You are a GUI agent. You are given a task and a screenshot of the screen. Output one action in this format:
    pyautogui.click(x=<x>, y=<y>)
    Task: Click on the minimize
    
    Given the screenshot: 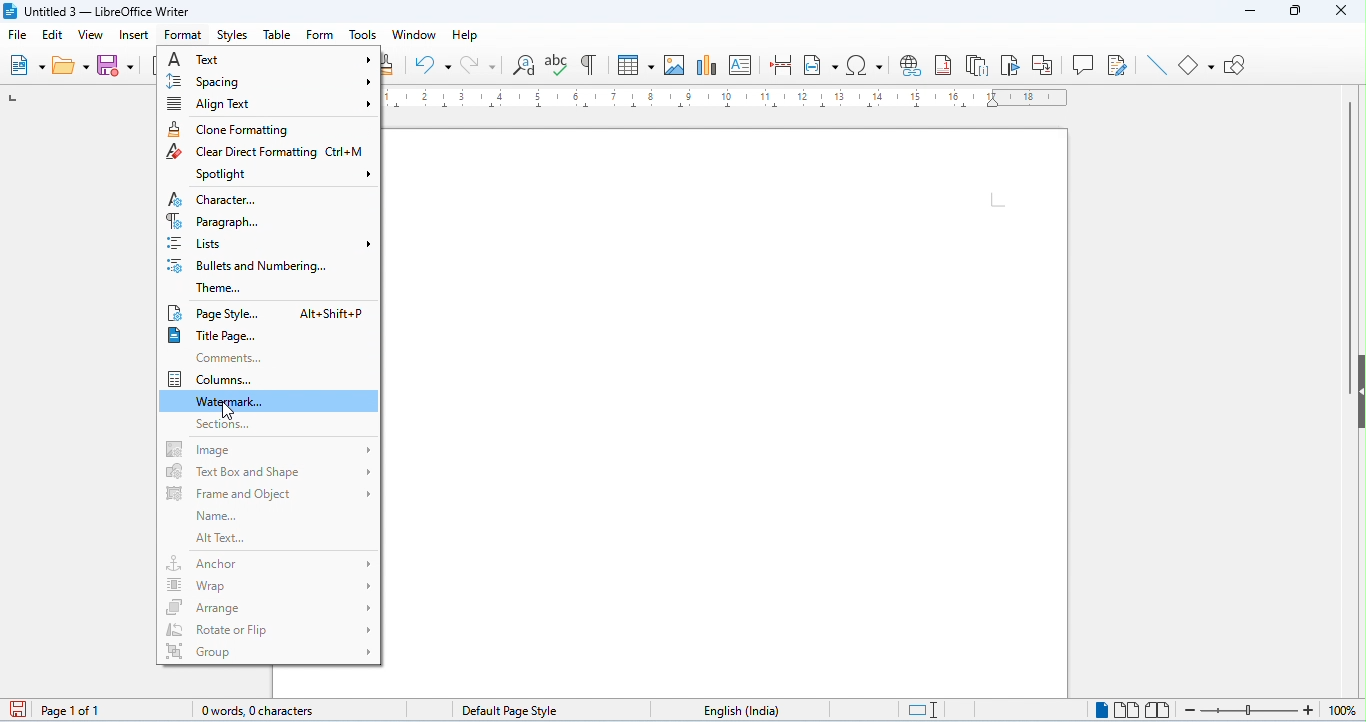 What is the action you would take?
    pyautogui.click(x=1251, y=12)
    